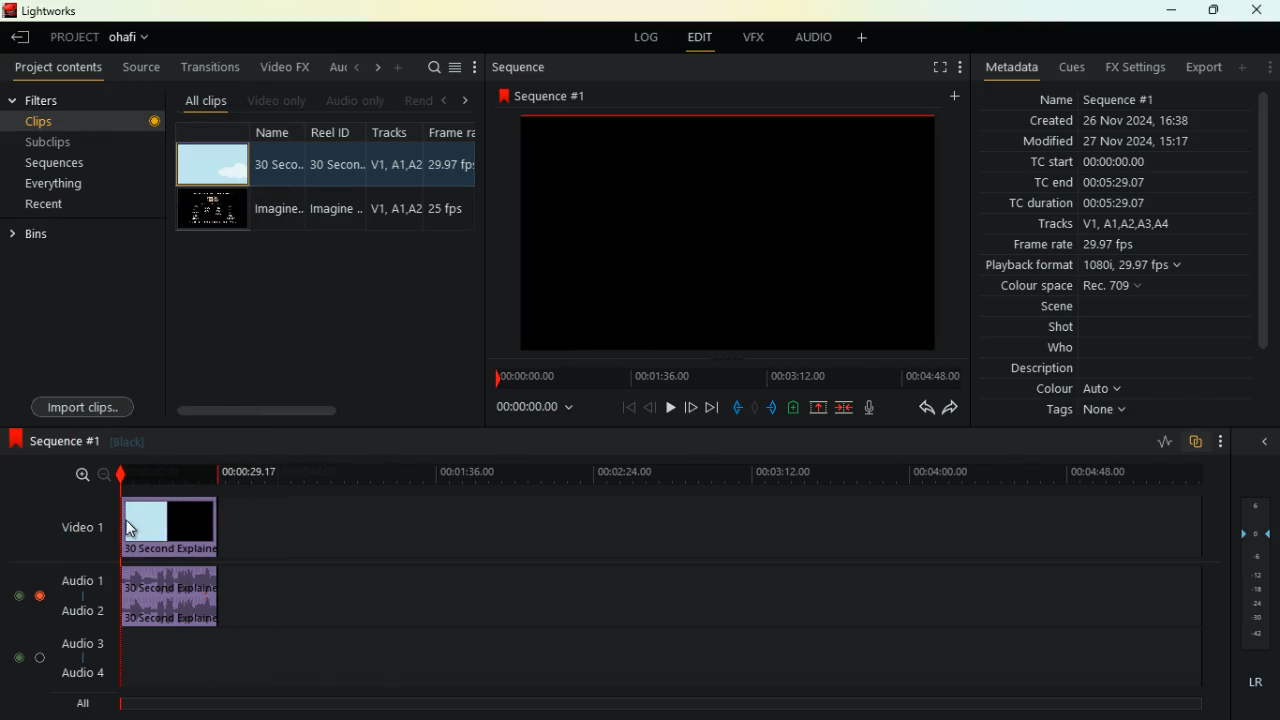 The height and width of the screenshot is (720, 1280). I want to click on fps, so click(455, 179).